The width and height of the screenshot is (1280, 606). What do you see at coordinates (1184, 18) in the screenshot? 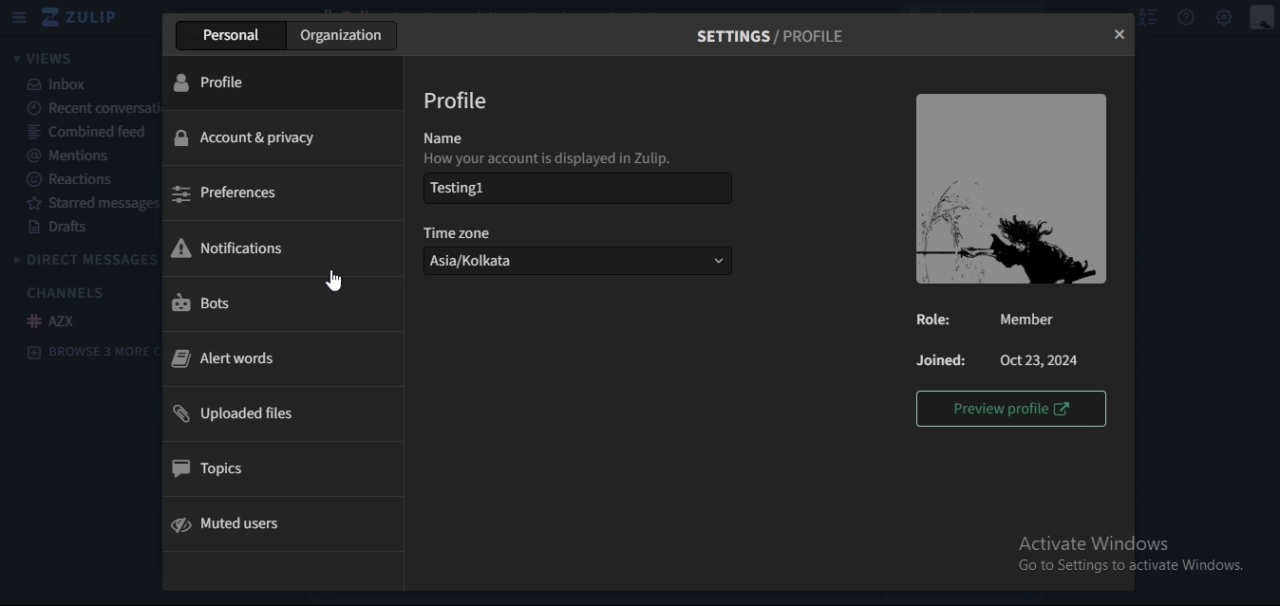
I see `help` at bounding box center [1184, 18].